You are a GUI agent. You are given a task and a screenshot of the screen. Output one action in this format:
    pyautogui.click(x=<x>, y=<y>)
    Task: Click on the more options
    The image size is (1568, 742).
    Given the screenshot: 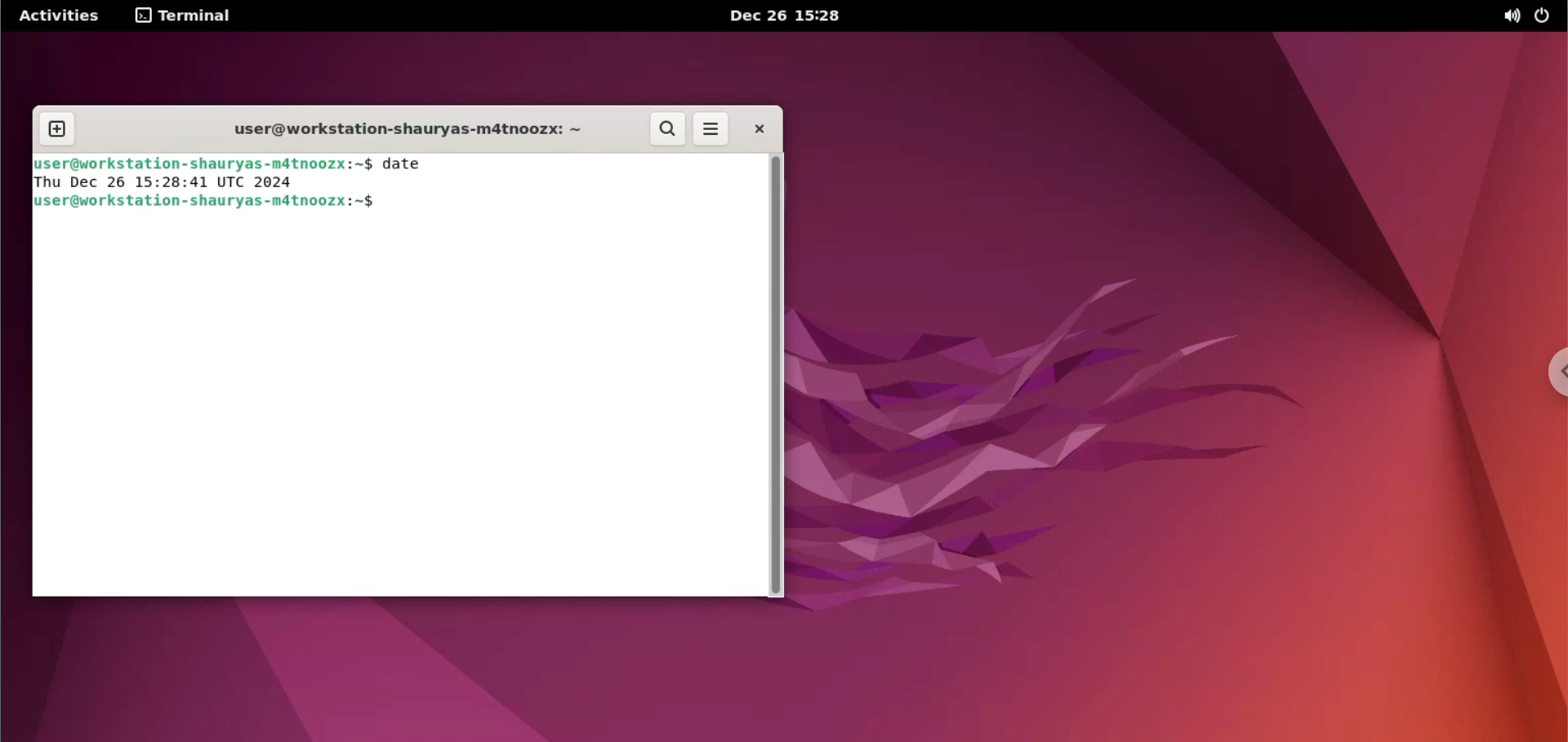 What is the action you would take?
    pyautogui.click(x=711, y=131)
    